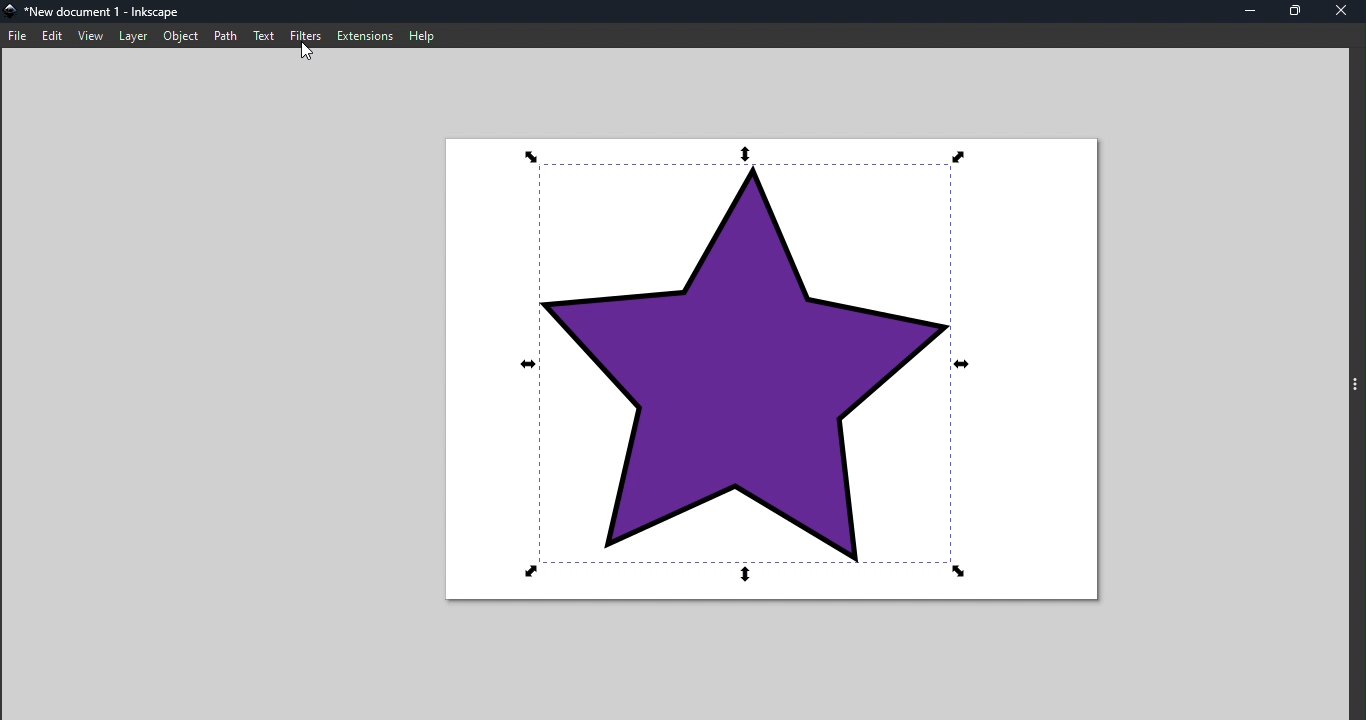 The image size is (1366, 720). What do you see at coordinates (1296, 12) in the screenshot?
I see `Maximize` at bounding box center [1296, 12].